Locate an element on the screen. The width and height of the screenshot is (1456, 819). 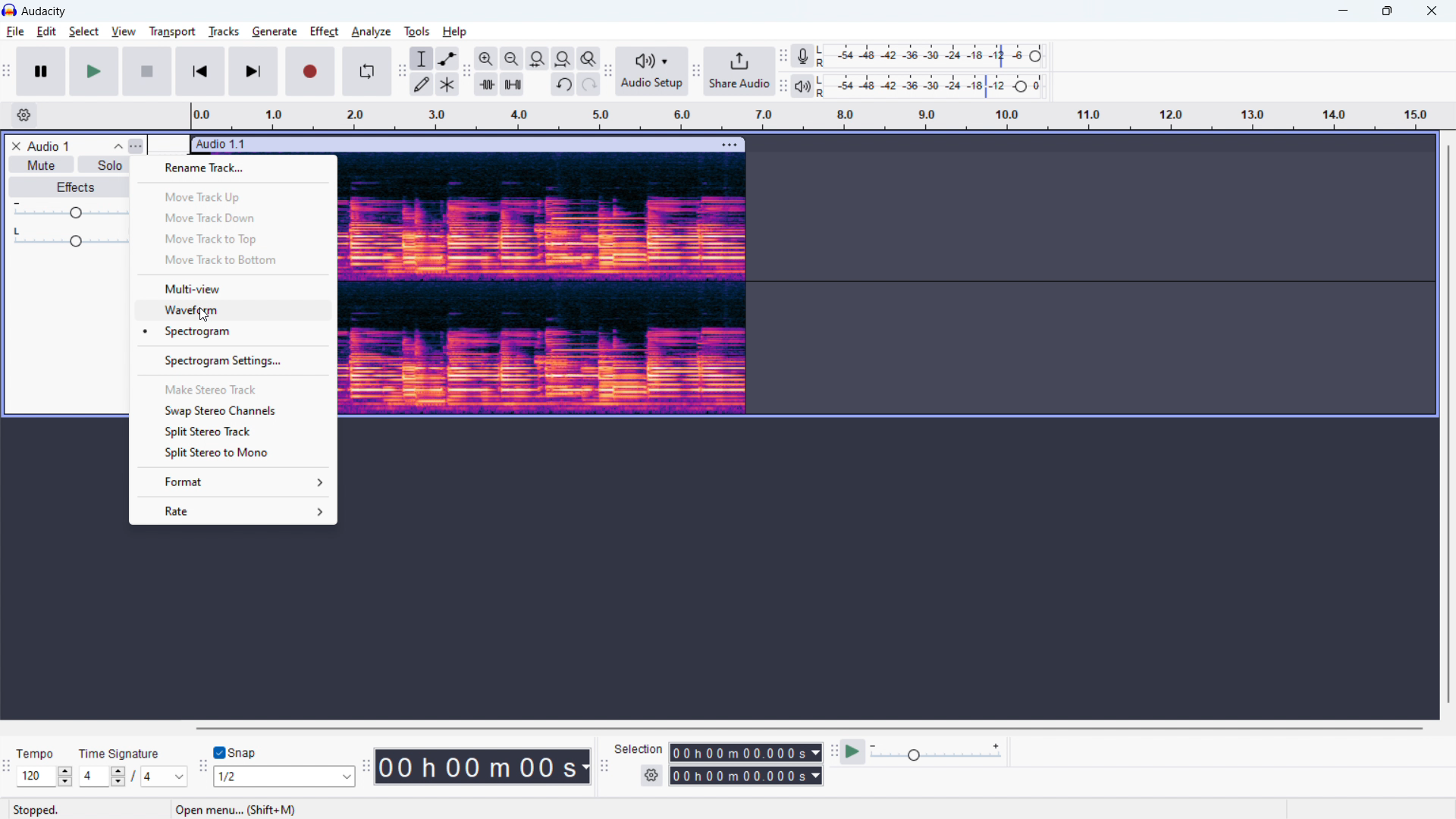
mute is located at coordinates (40, 164).